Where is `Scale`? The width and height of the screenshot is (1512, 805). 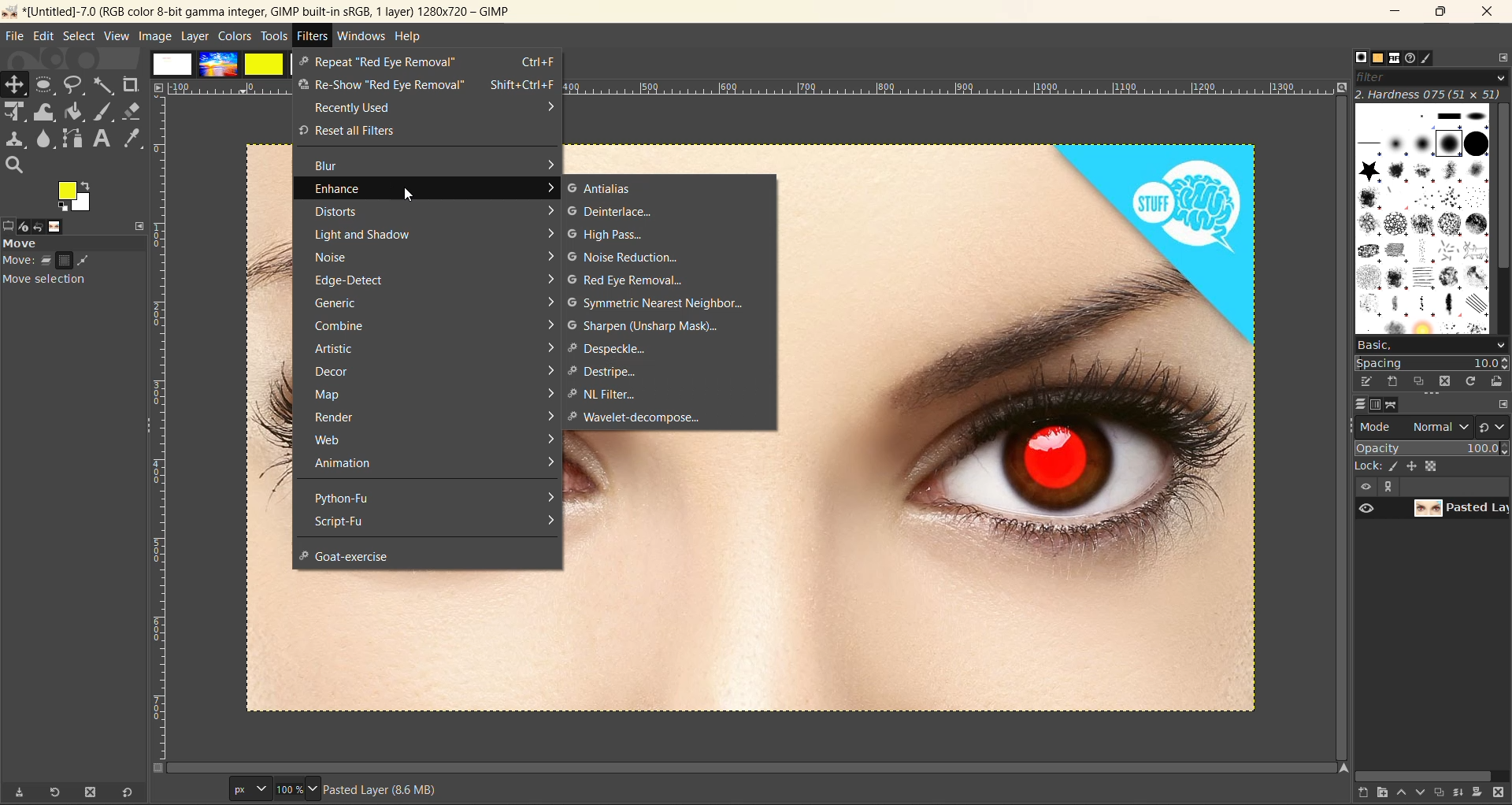 Scale is located at coordinates (17, 113).